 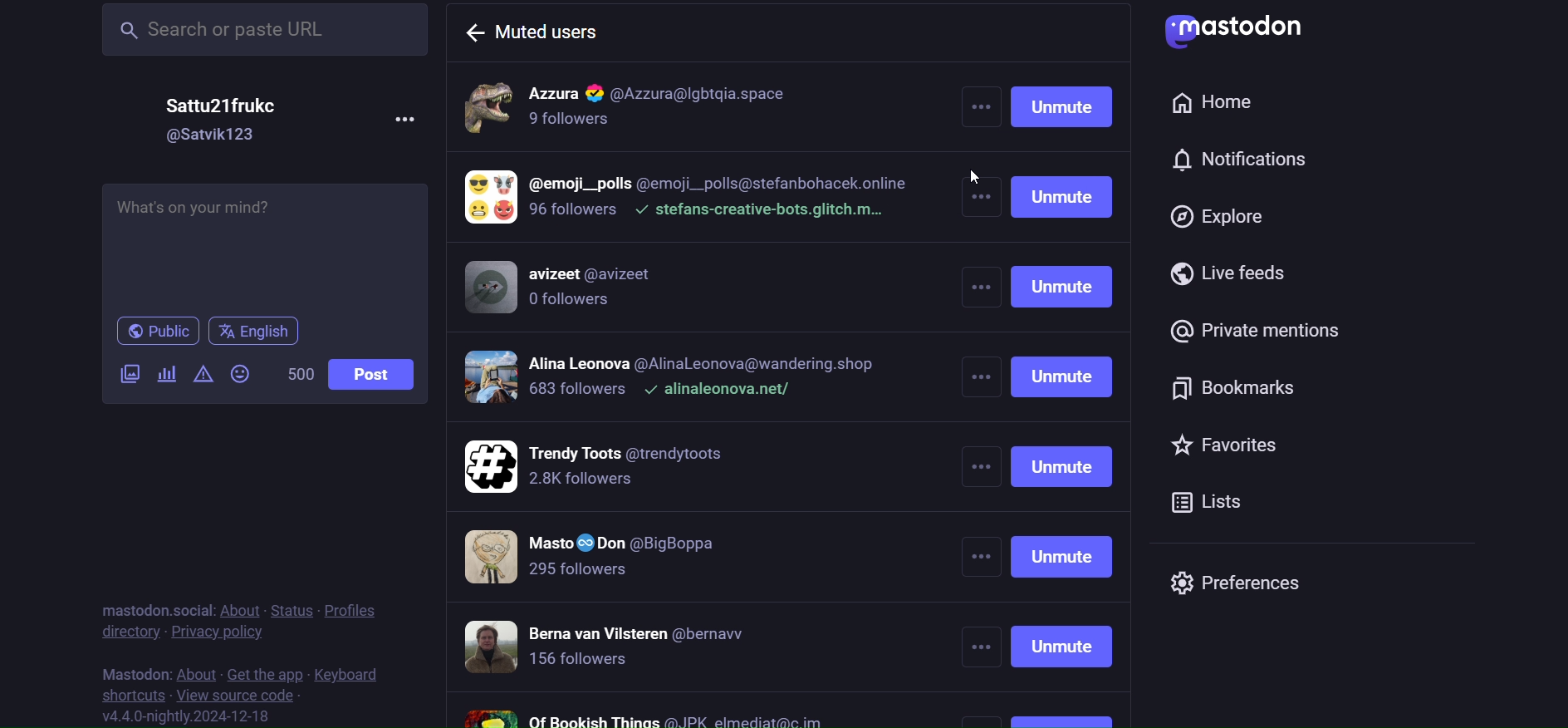 I want to click on content warning, so click(x=202, y=371).